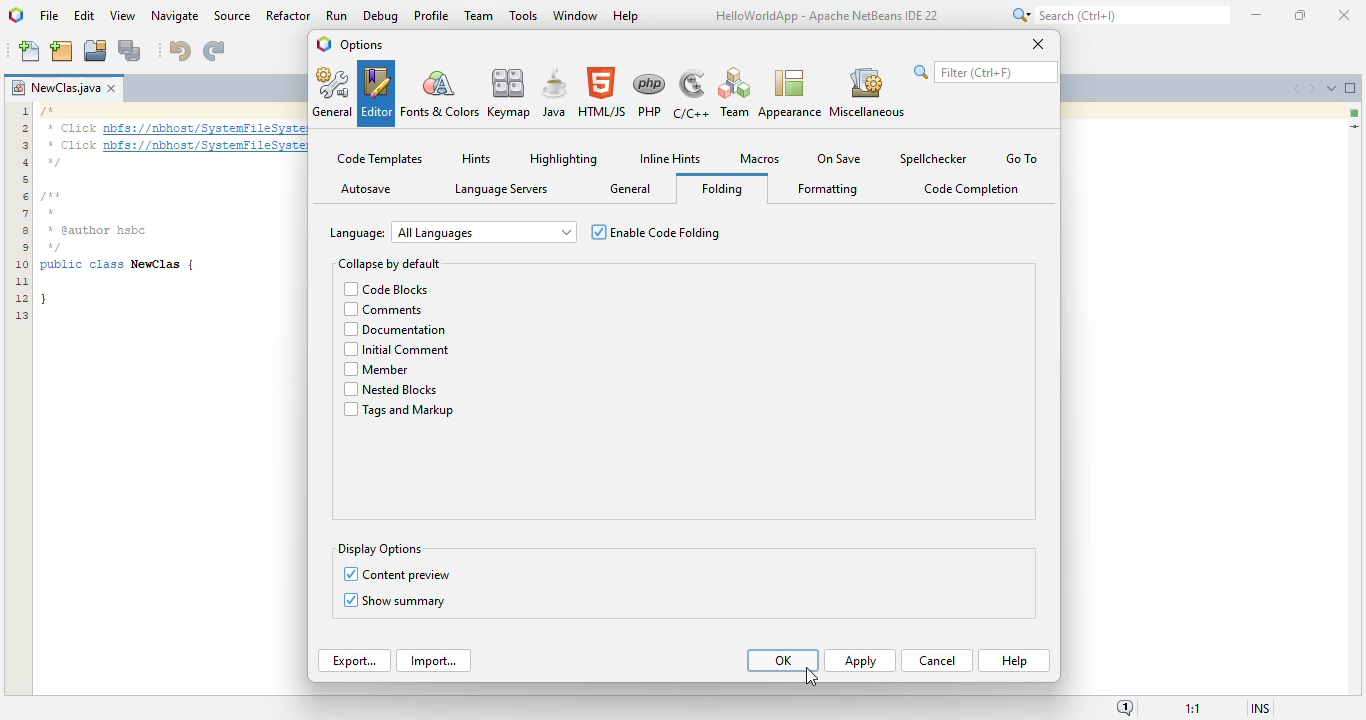  What do you see at coordinates (380, 550) in the screenshot?
I see `display options` at bounding box center [380, 550].